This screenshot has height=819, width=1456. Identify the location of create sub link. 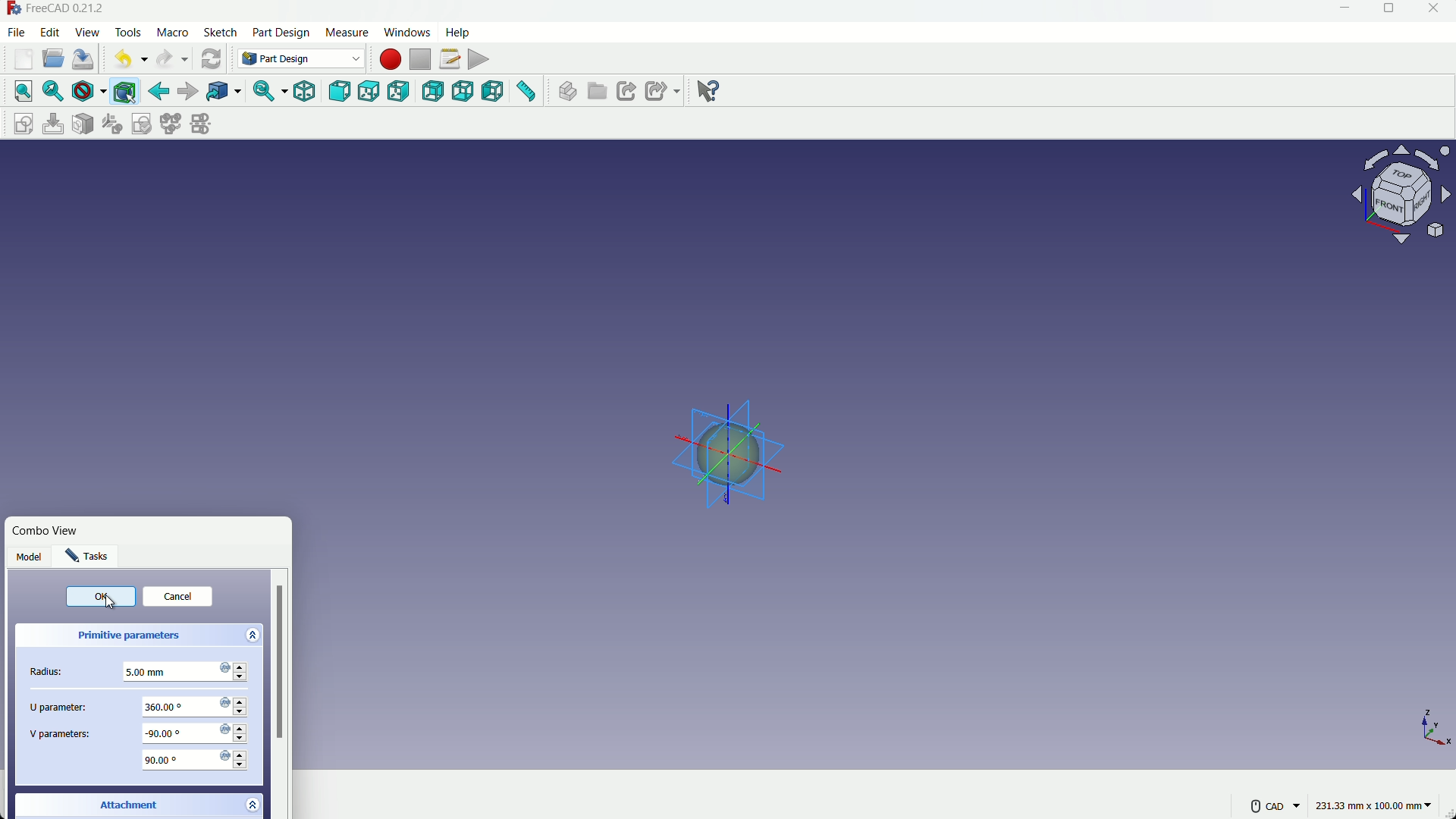
(663, 91).